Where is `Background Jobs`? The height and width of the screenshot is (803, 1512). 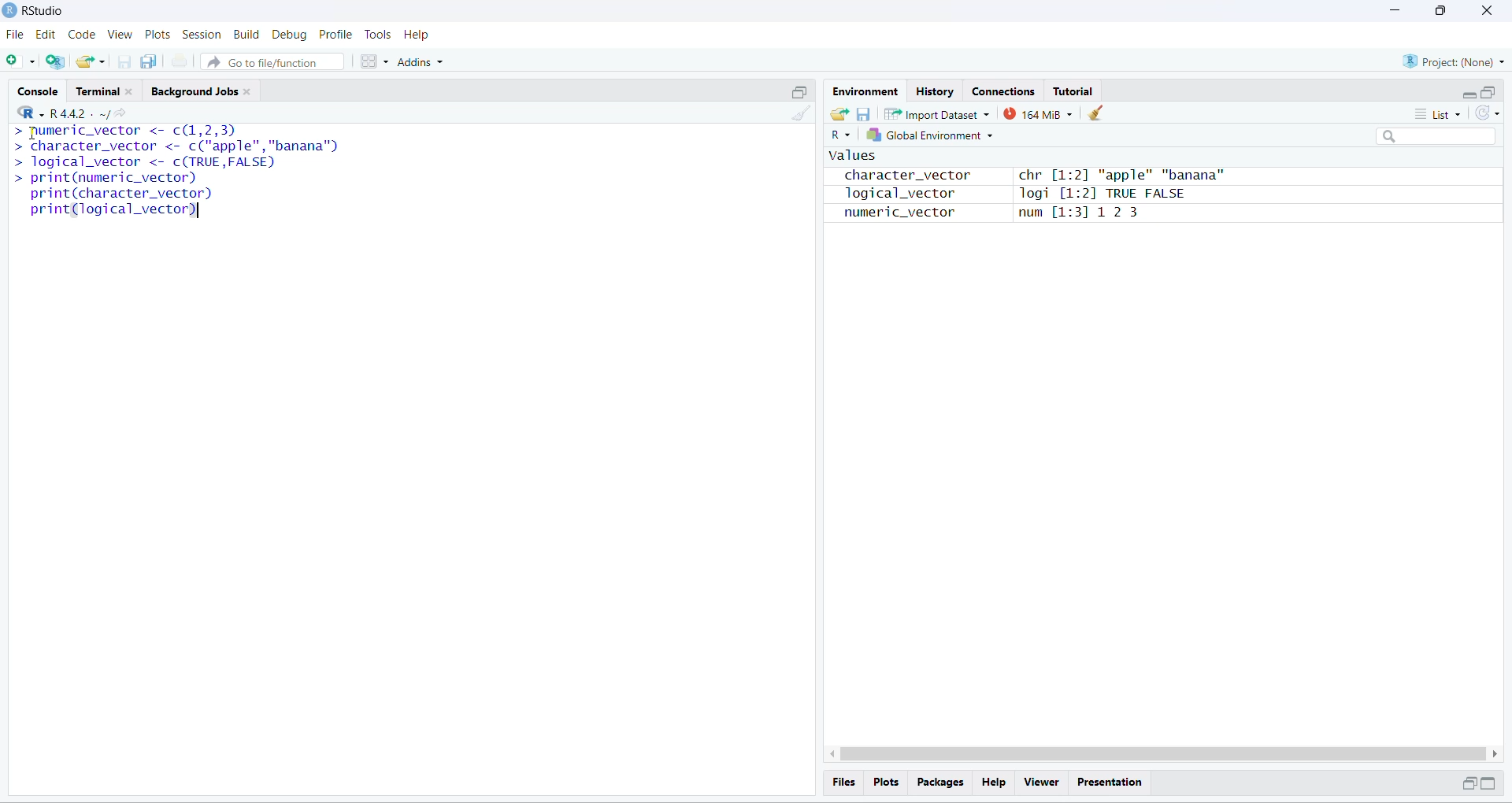
Background Jobs is located at coordinates (205, 90).